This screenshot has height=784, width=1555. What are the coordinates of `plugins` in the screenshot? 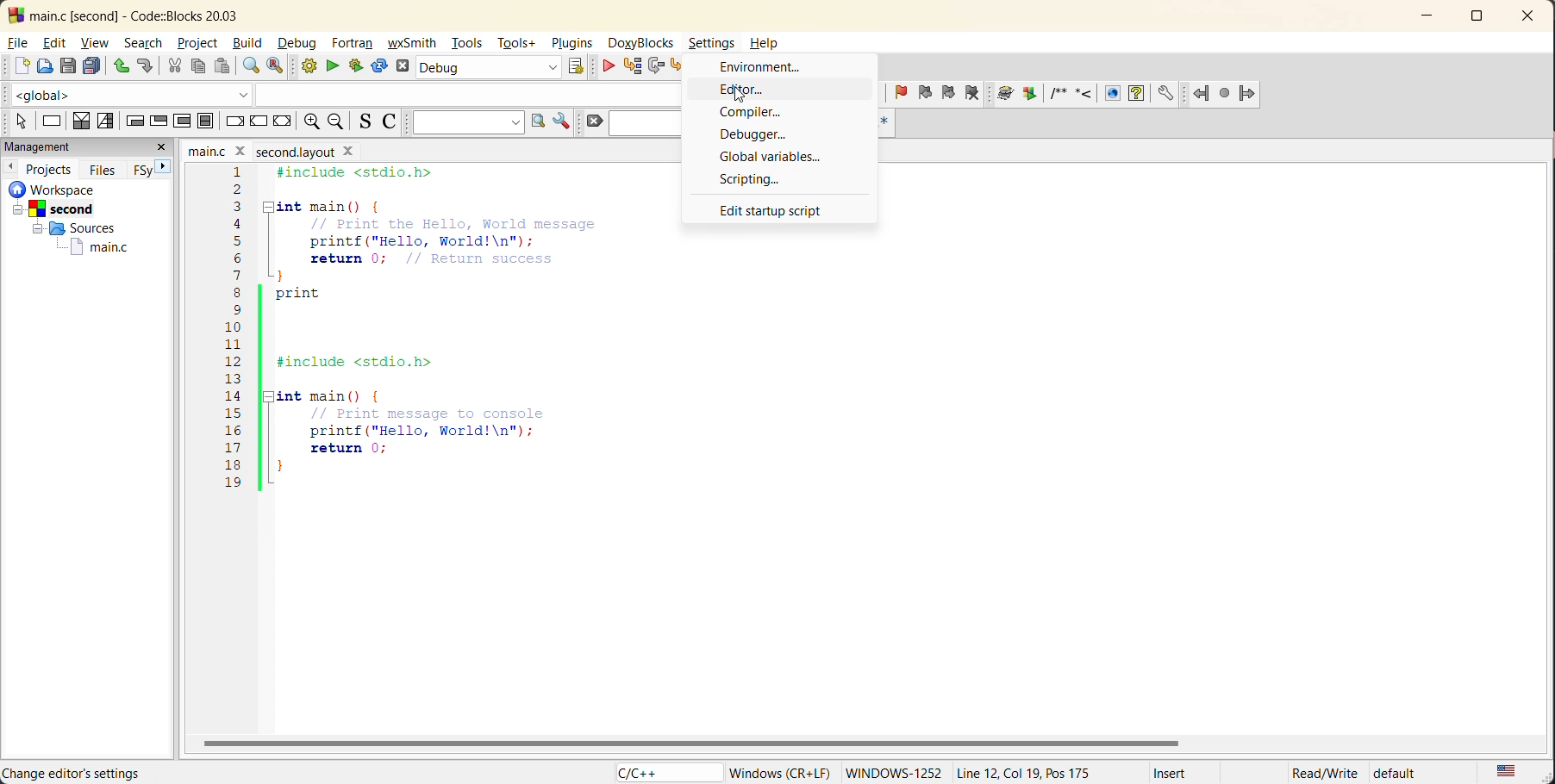 It's located at (570, 42).